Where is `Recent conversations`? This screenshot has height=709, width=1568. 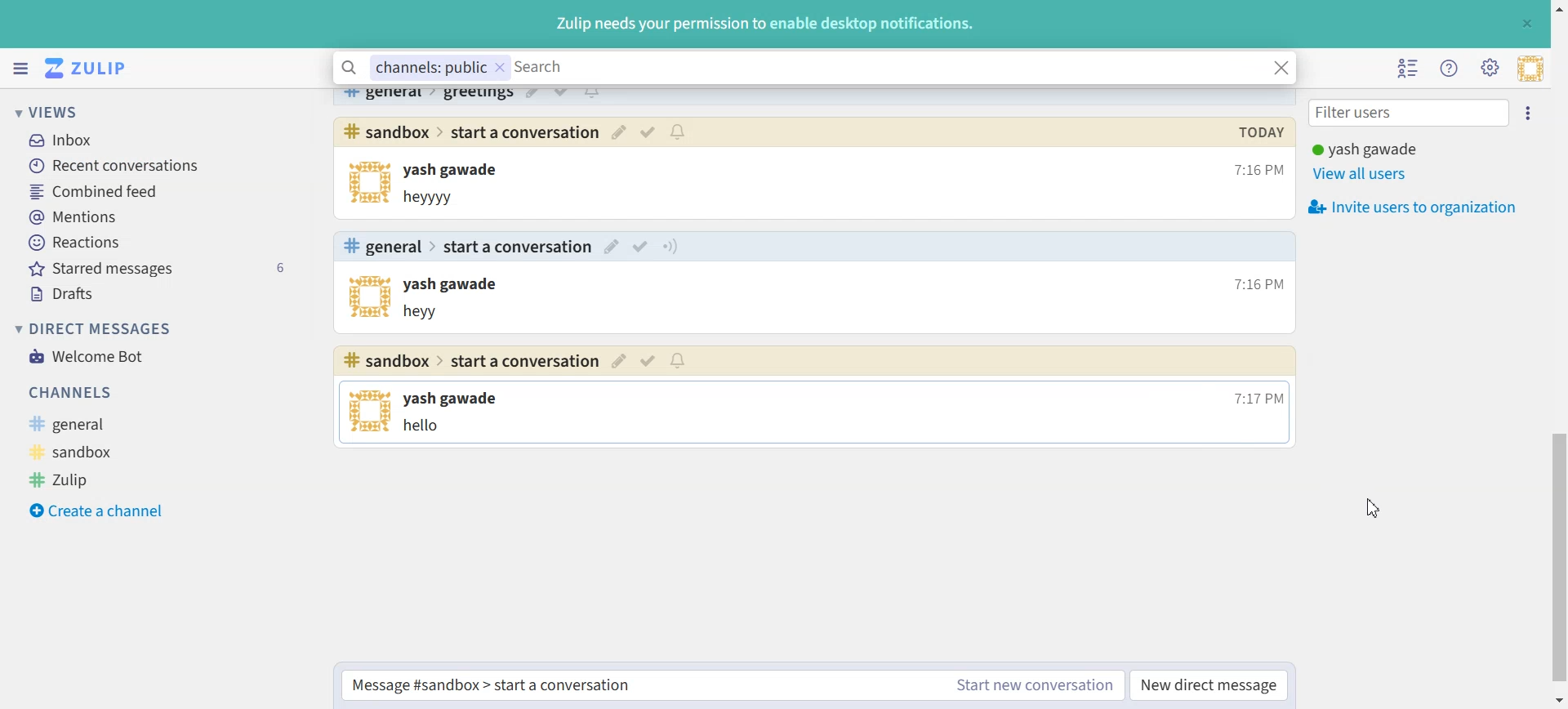 Recent conversations is located at coordinates (163, 166).